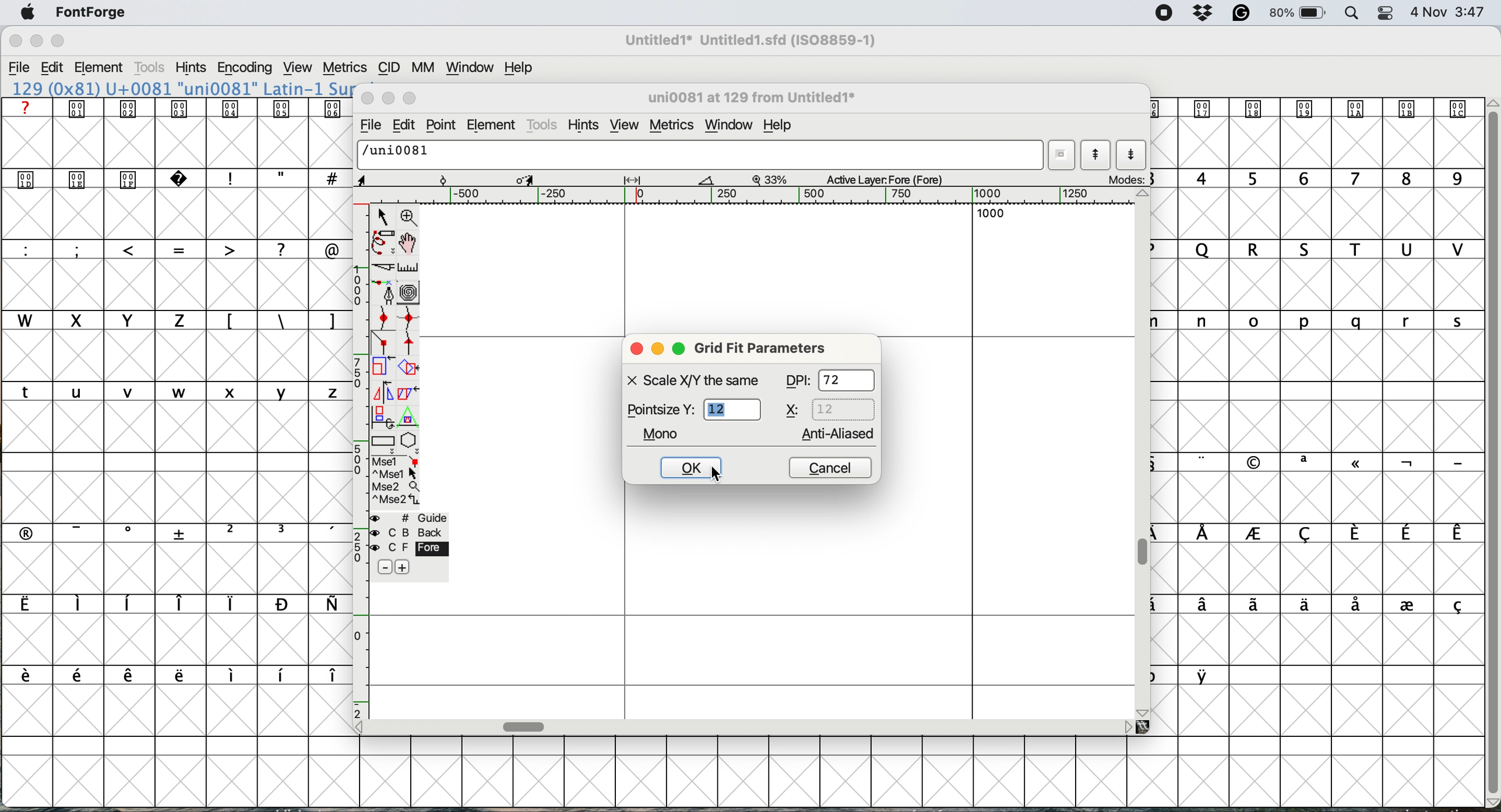 Image resolution: width=1501 pixels, height=812 pixels. Describe the element at coordinates (385, 343) in the screenshot. I see `connector point` at that location.